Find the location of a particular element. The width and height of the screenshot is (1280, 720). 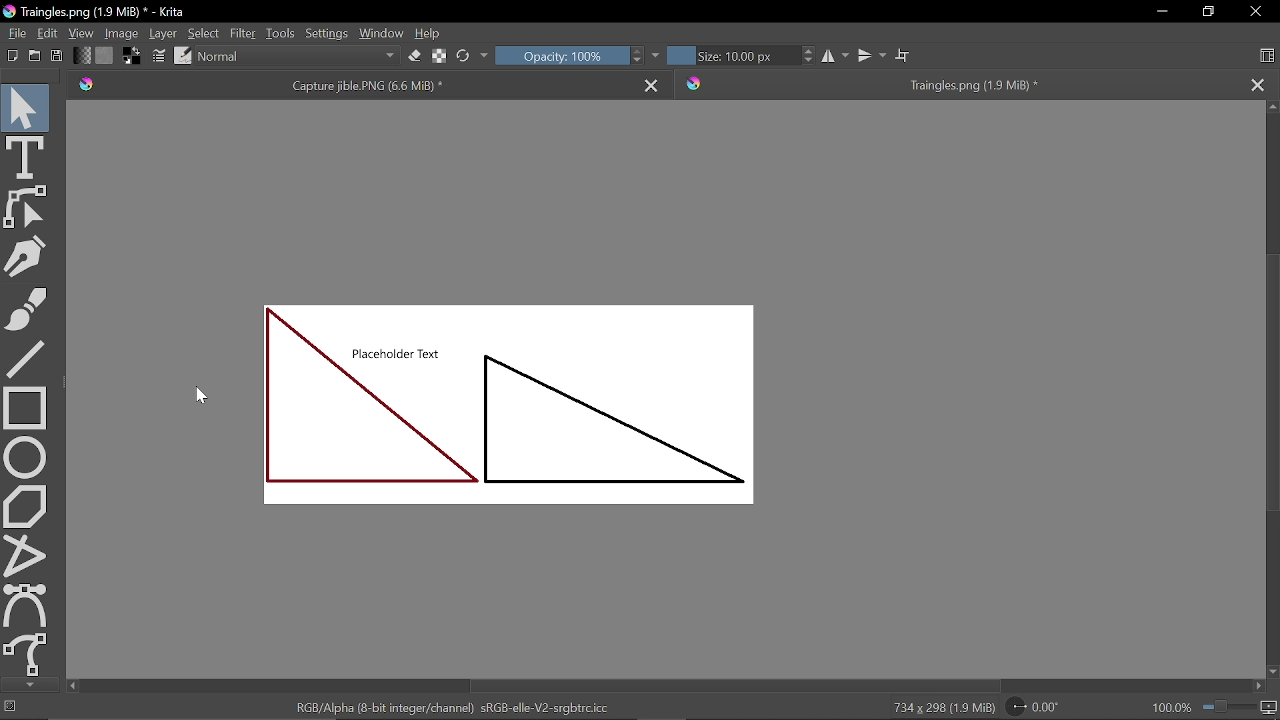

Fill pattern is located at coordinates (104, 56).